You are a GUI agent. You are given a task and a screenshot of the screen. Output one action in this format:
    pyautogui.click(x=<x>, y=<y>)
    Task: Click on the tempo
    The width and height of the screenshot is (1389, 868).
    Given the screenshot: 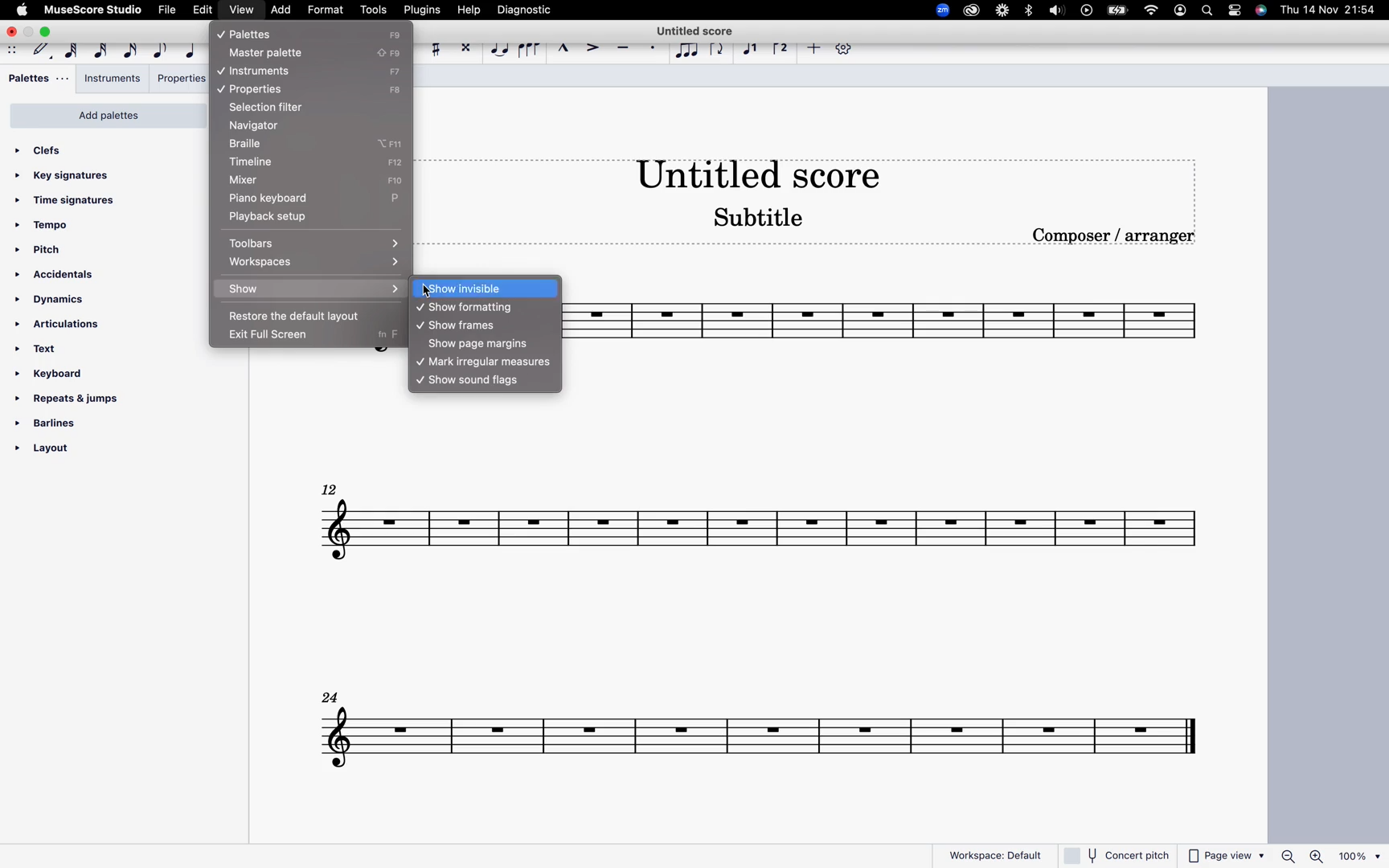 What is the action you would take?
    pyautogui.click(x=49, y=226)
    